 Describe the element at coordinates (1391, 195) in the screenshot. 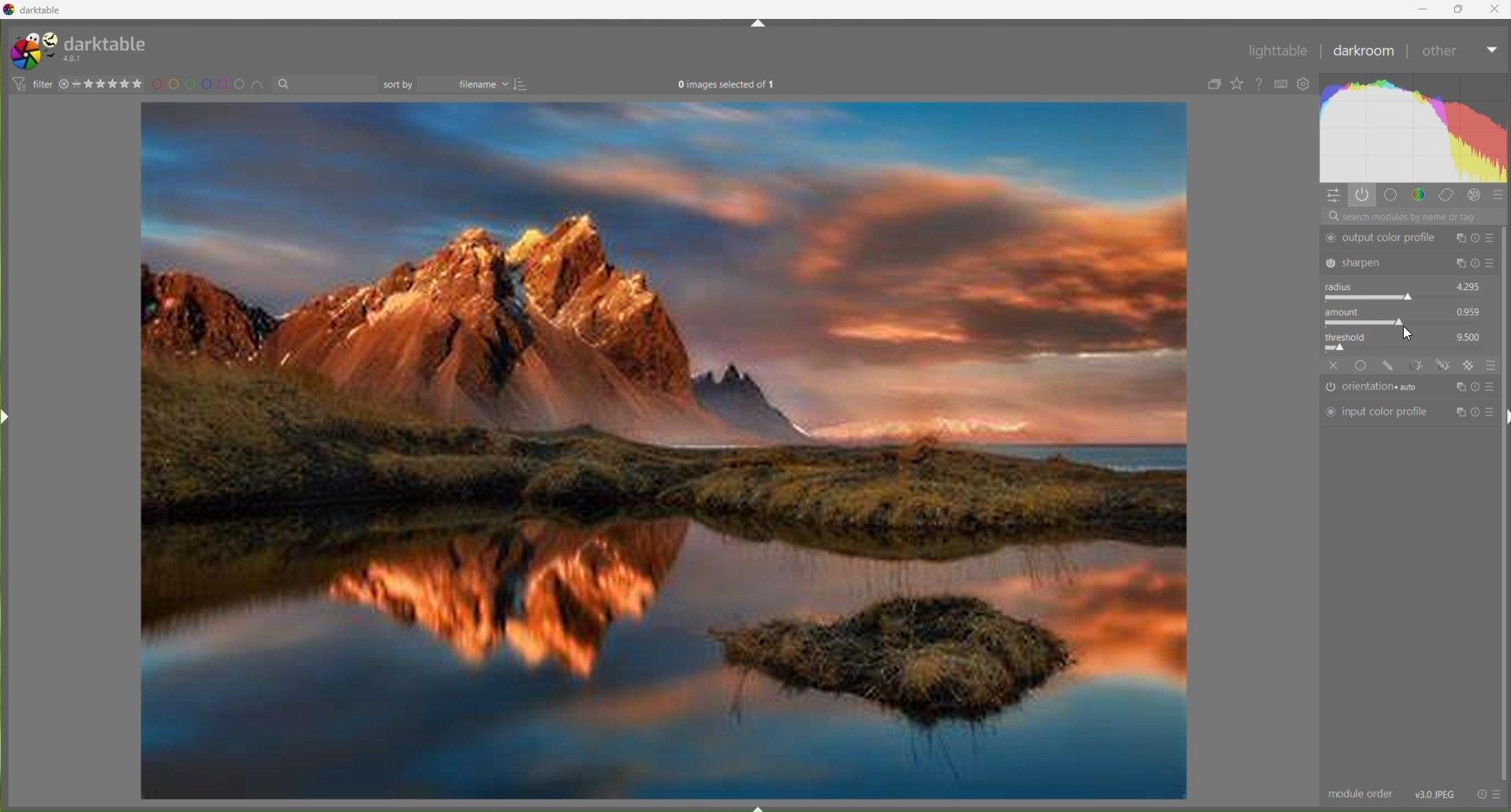

I see `base` at that location.